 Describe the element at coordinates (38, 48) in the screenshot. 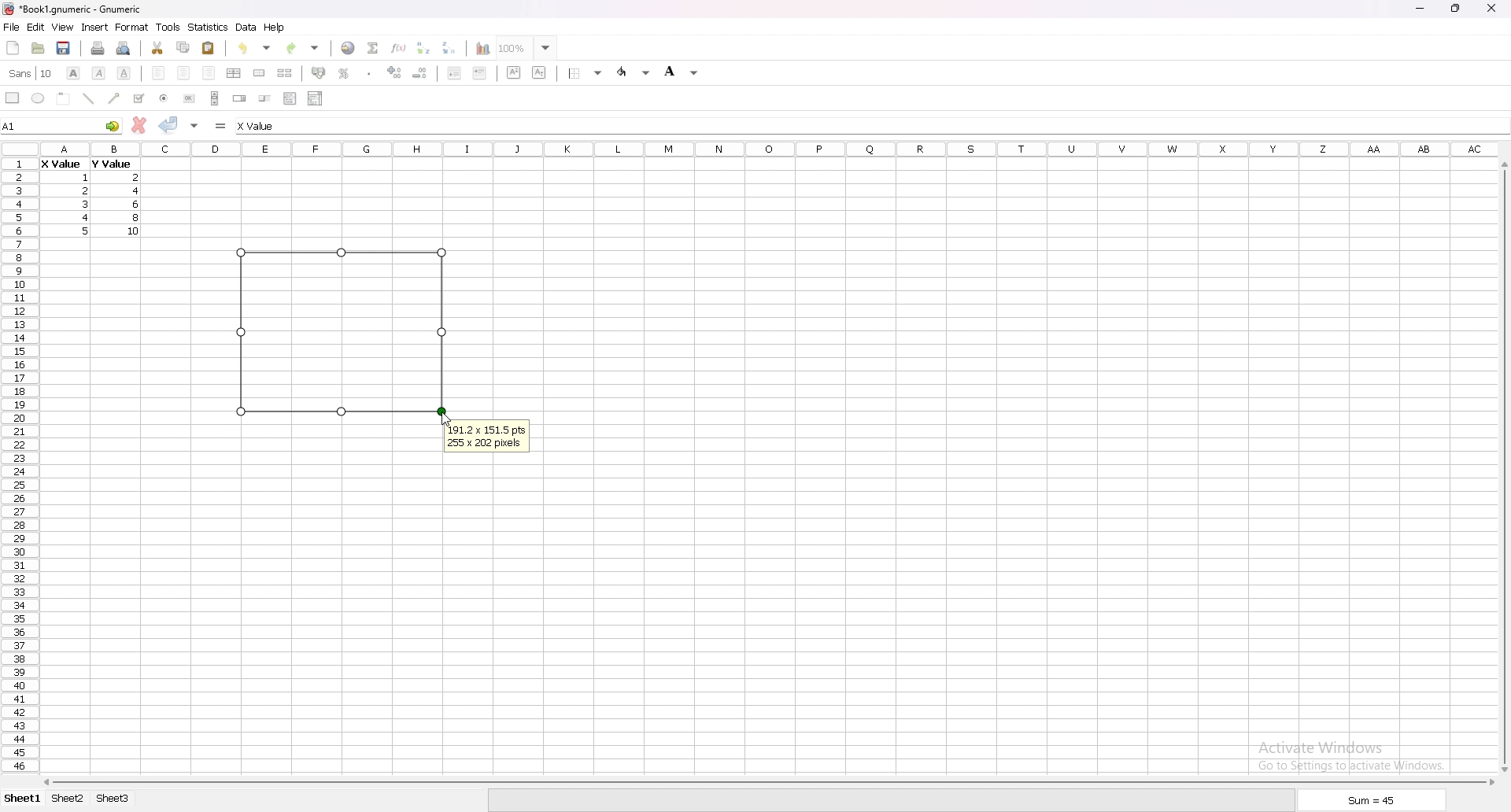

I see `open` at that location.